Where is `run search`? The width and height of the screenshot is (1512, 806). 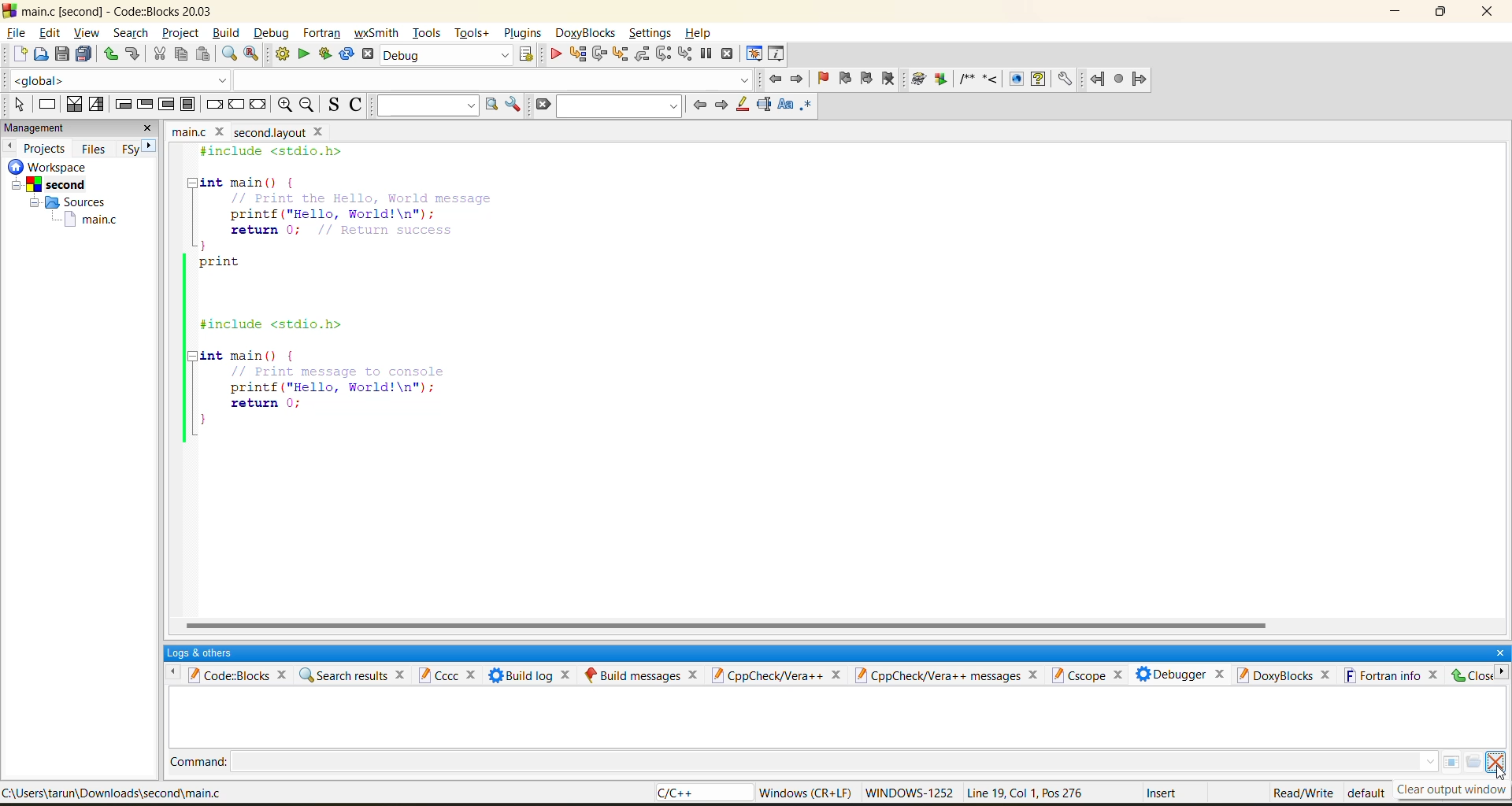
run search is located at coordinates (487, 104).